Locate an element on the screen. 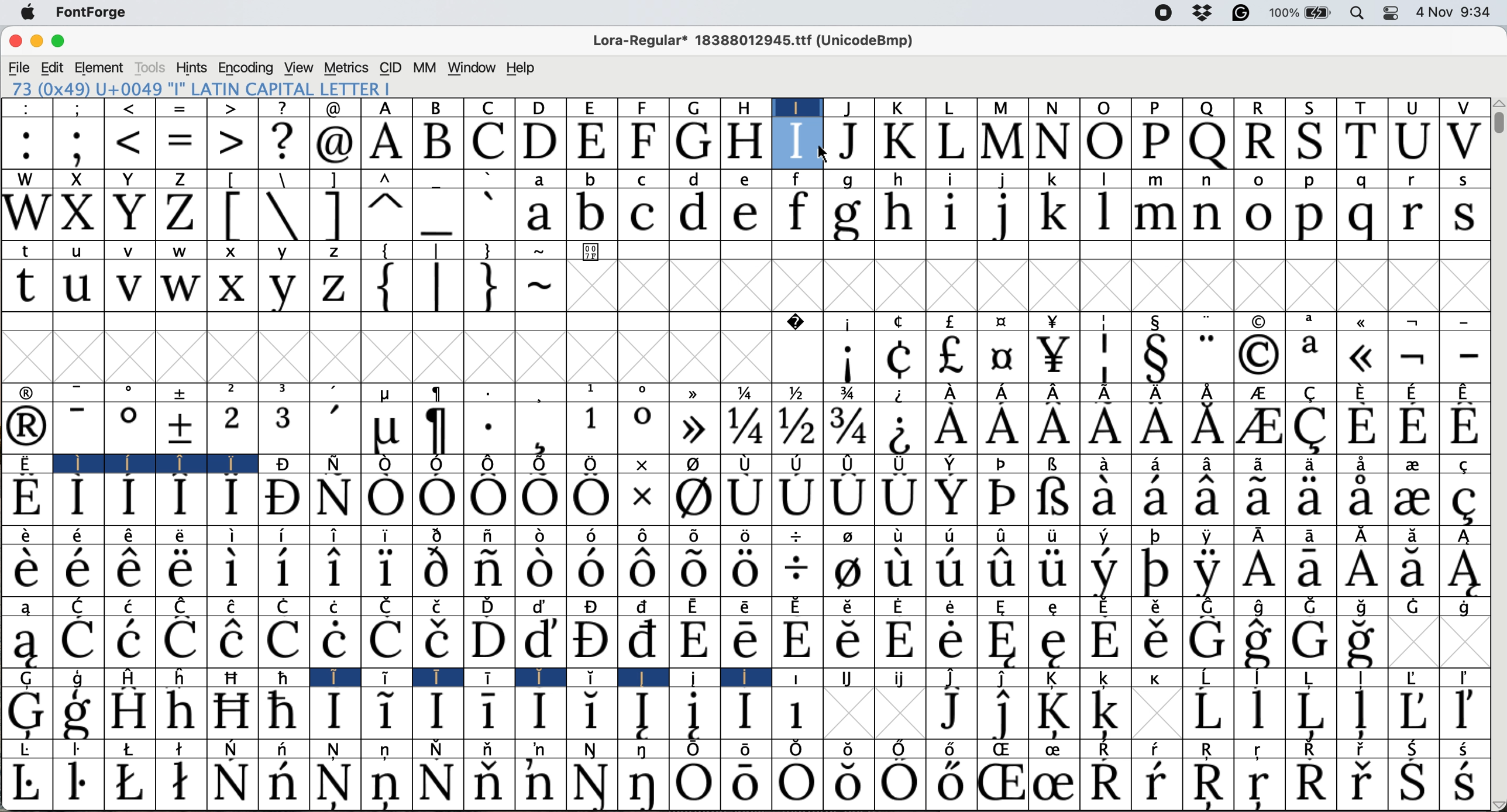 The width and height of the screenshot is (1507, 812). Symbol is located at coordinates (233, 749).